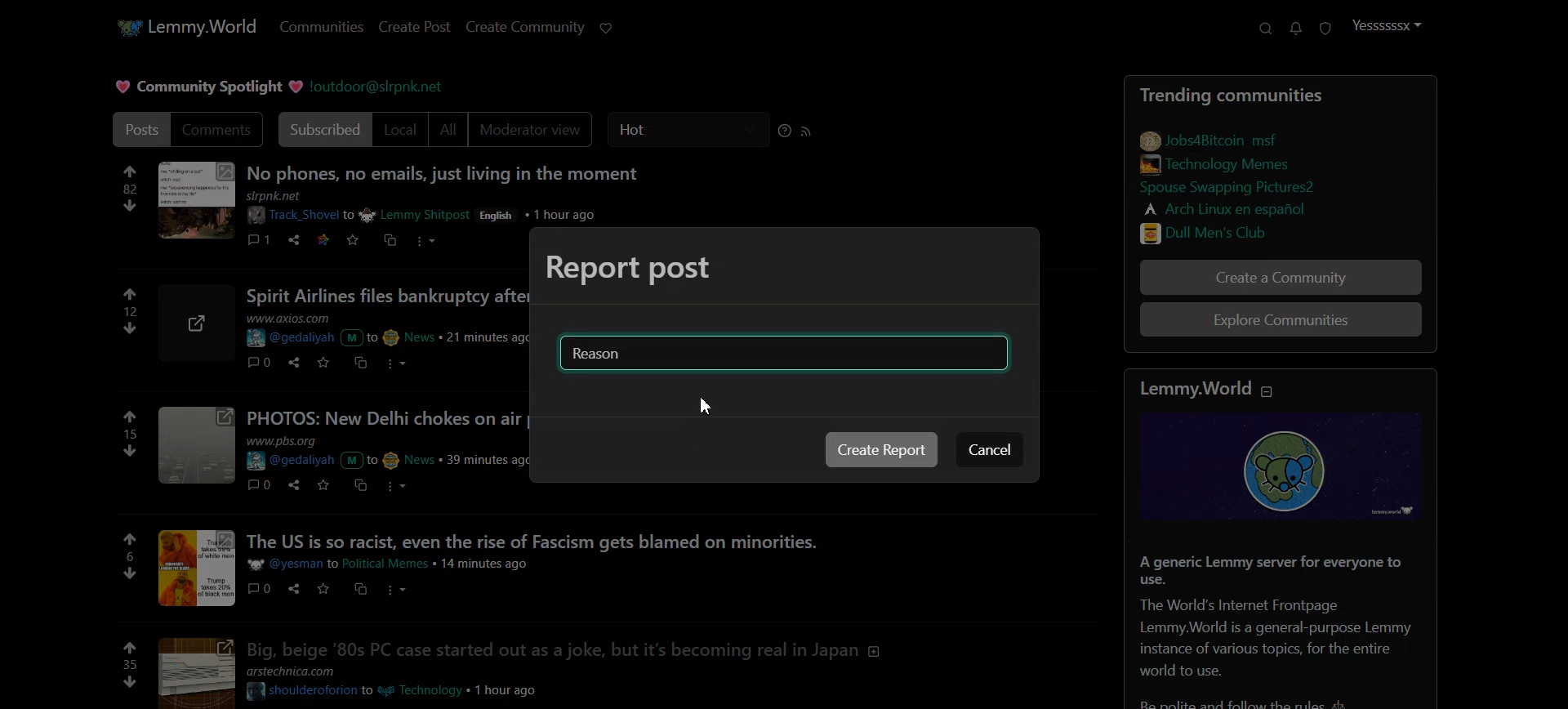 Image resolution: width=1568 pixels, height=709 pixels. What do you see at coordinates (256, 362) in the screenshot?
I see `comments` at bounding box center [256, 362].